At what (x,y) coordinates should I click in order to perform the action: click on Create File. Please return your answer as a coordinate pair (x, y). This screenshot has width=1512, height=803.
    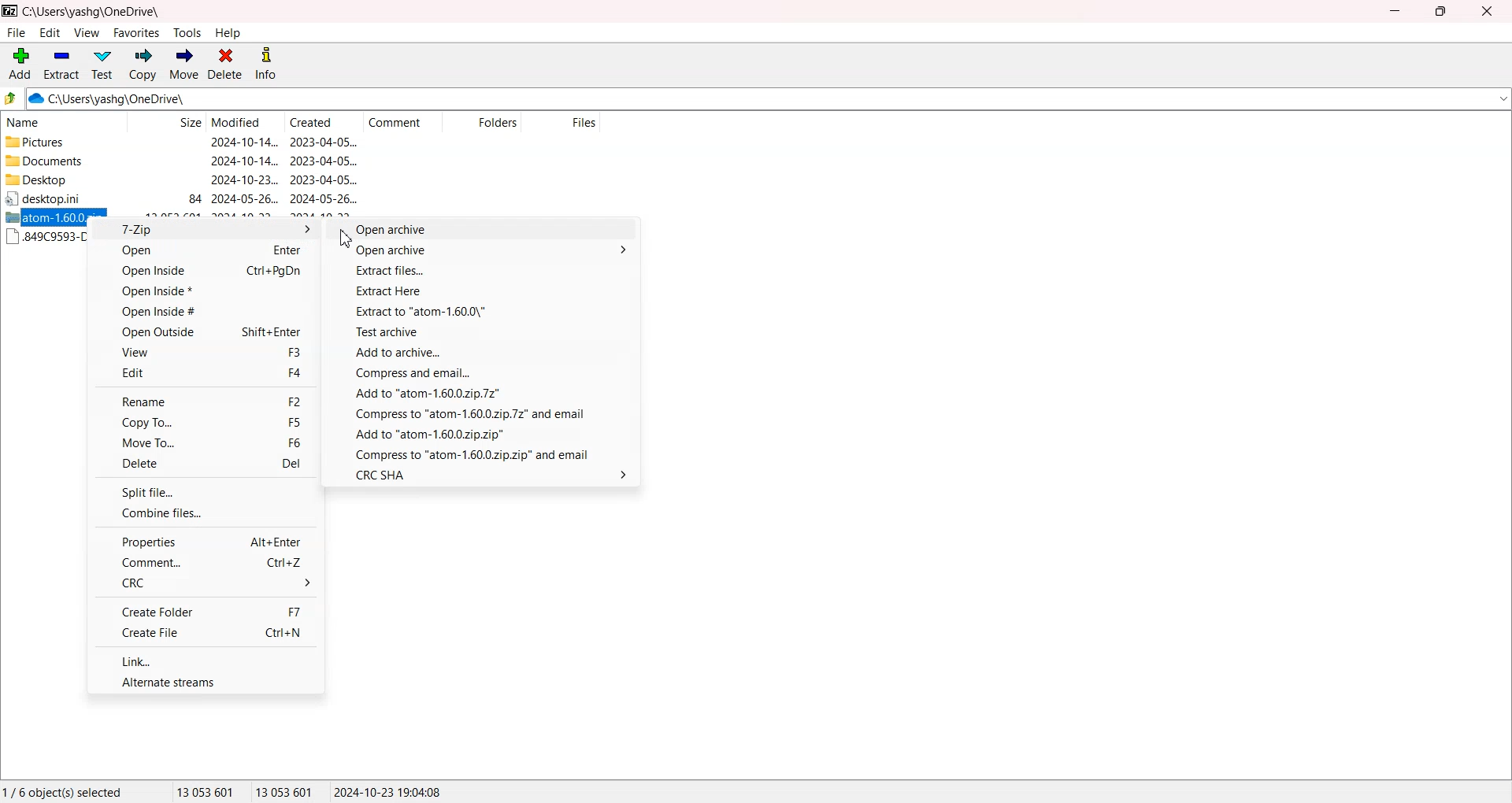
    Looking at the image, I should click on (206, 633).